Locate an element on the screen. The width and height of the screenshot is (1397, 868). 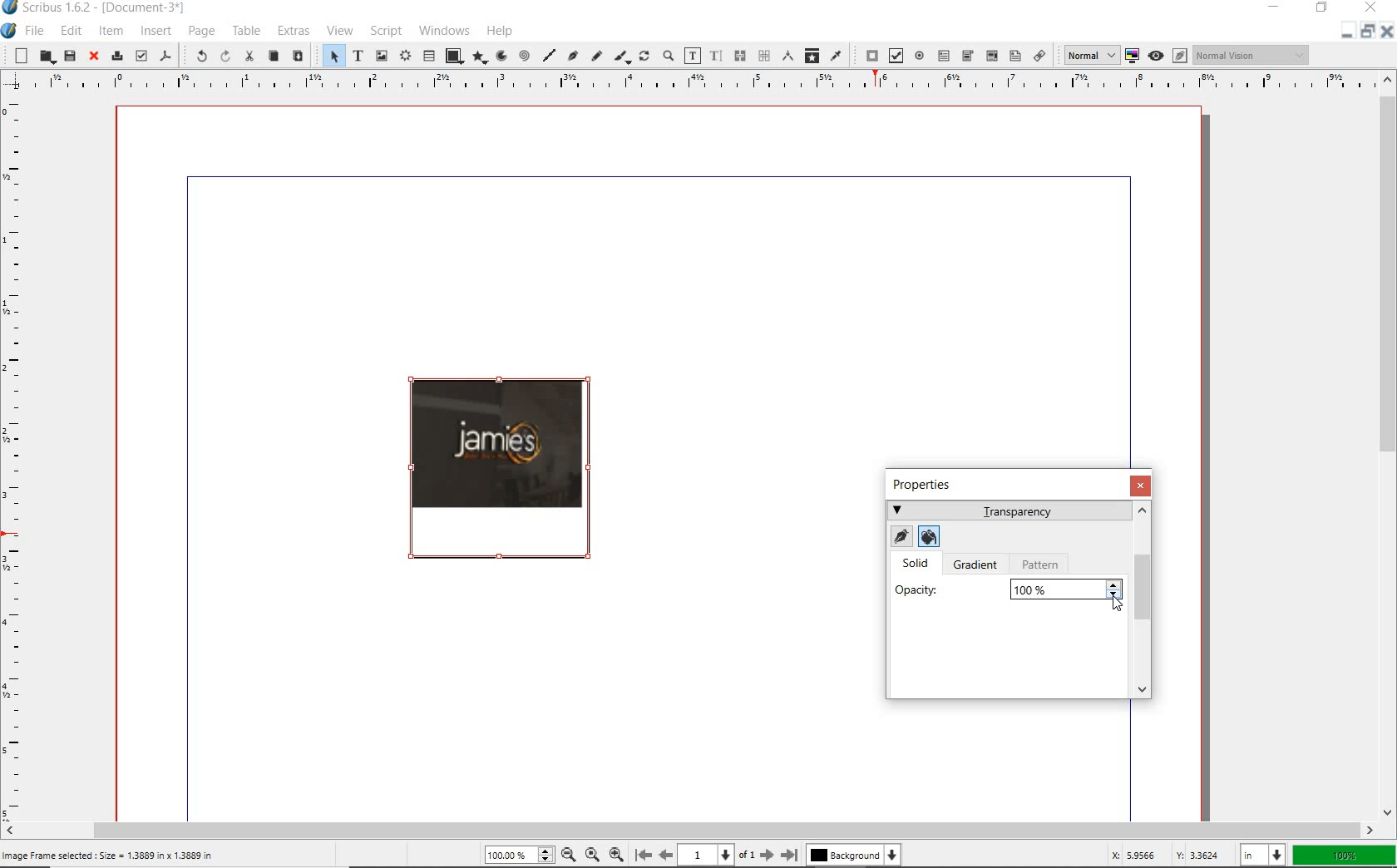
zoom factor is located at coordinates (1344, 854).